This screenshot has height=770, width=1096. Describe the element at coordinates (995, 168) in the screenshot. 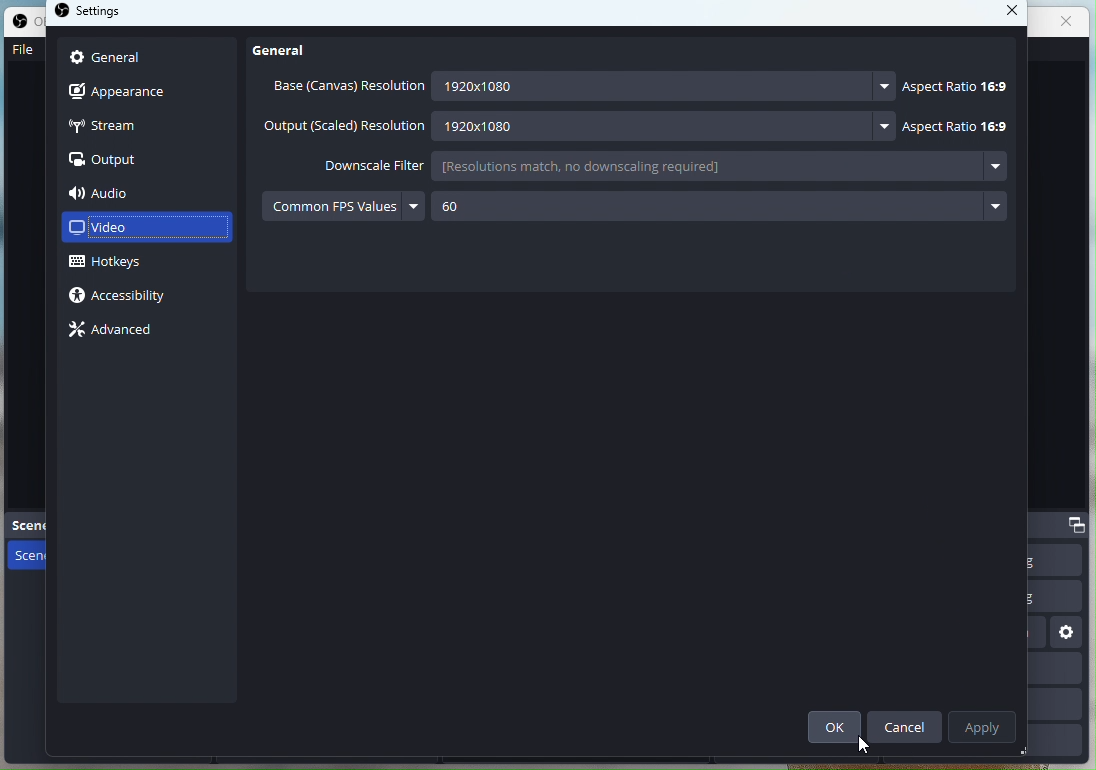

I see `more options` at that location.